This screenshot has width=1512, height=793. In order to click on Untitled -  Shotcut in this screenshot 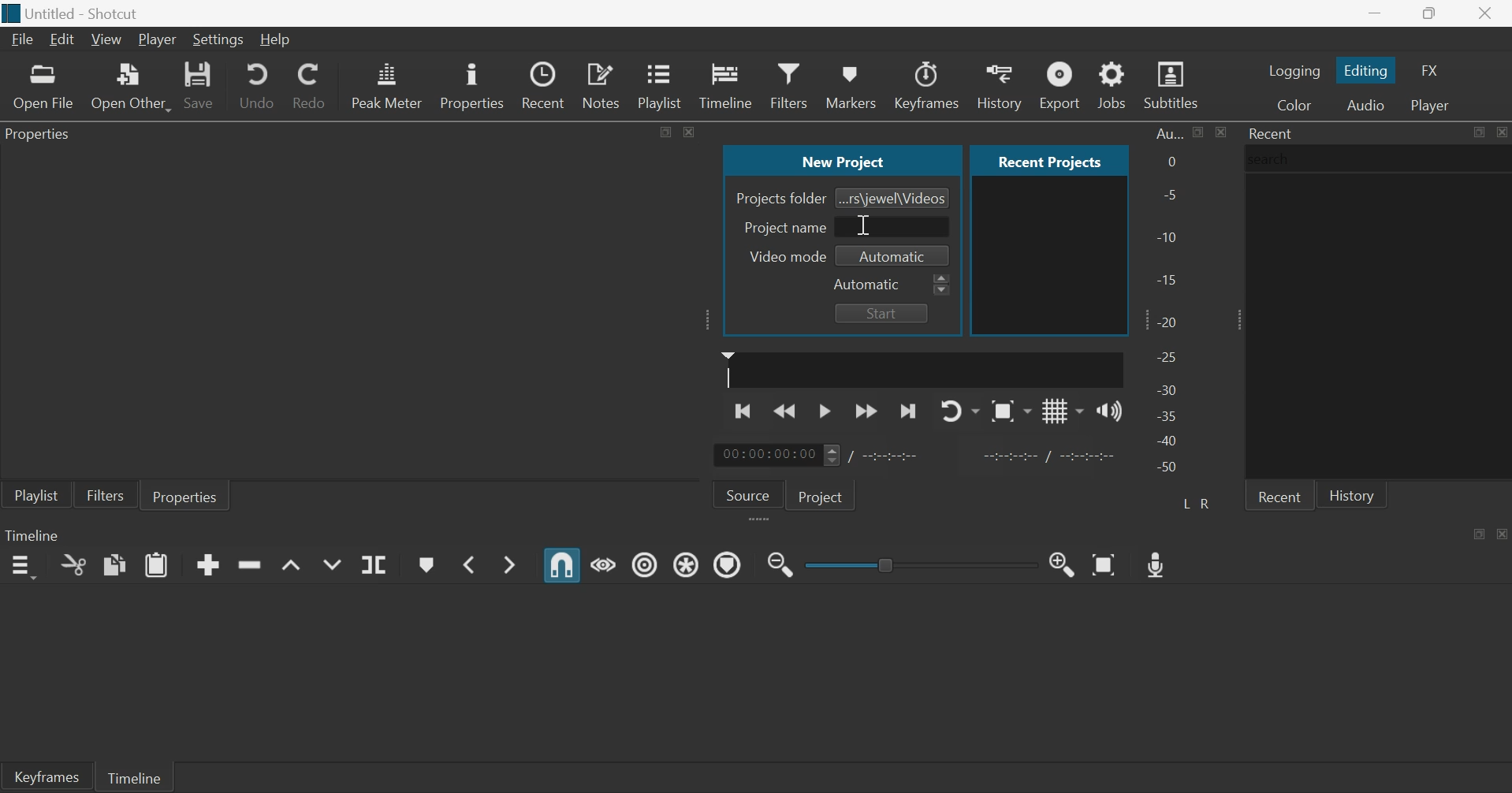, I will do `click(86, 14)`.